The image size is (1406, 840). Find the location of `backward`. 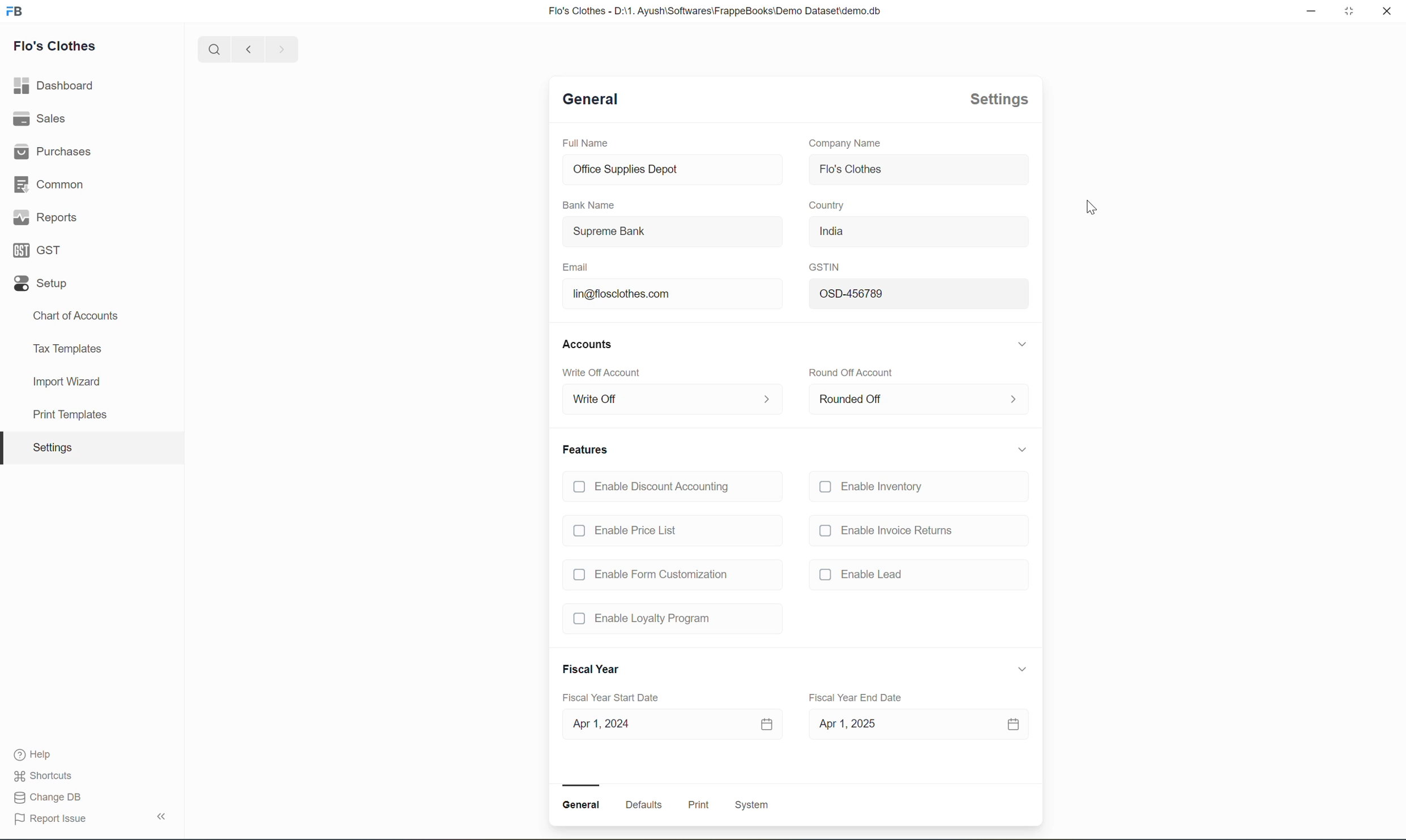

backward is located at coordinates (250, 49).